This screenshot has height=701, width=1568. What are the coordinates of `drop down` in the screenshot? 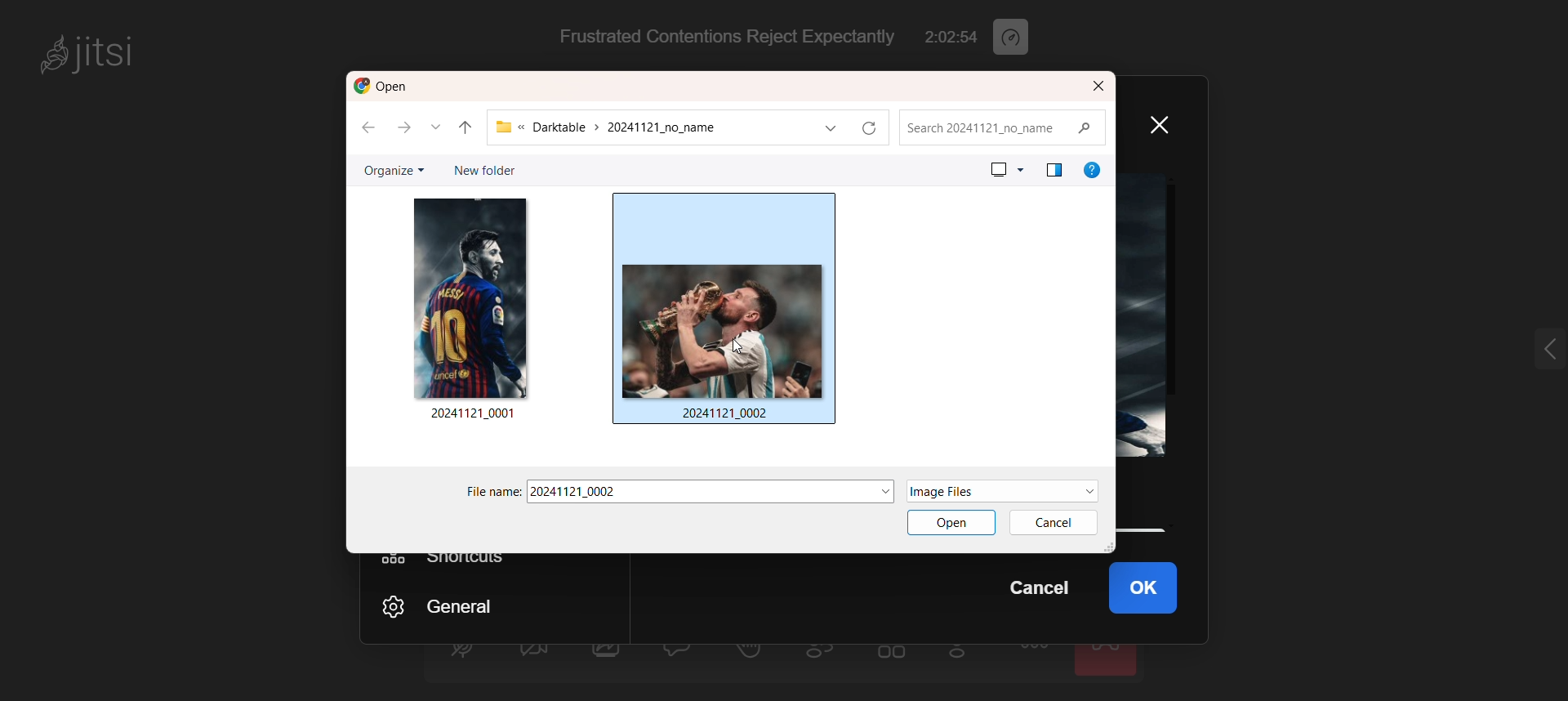 It's located at (439, 128).